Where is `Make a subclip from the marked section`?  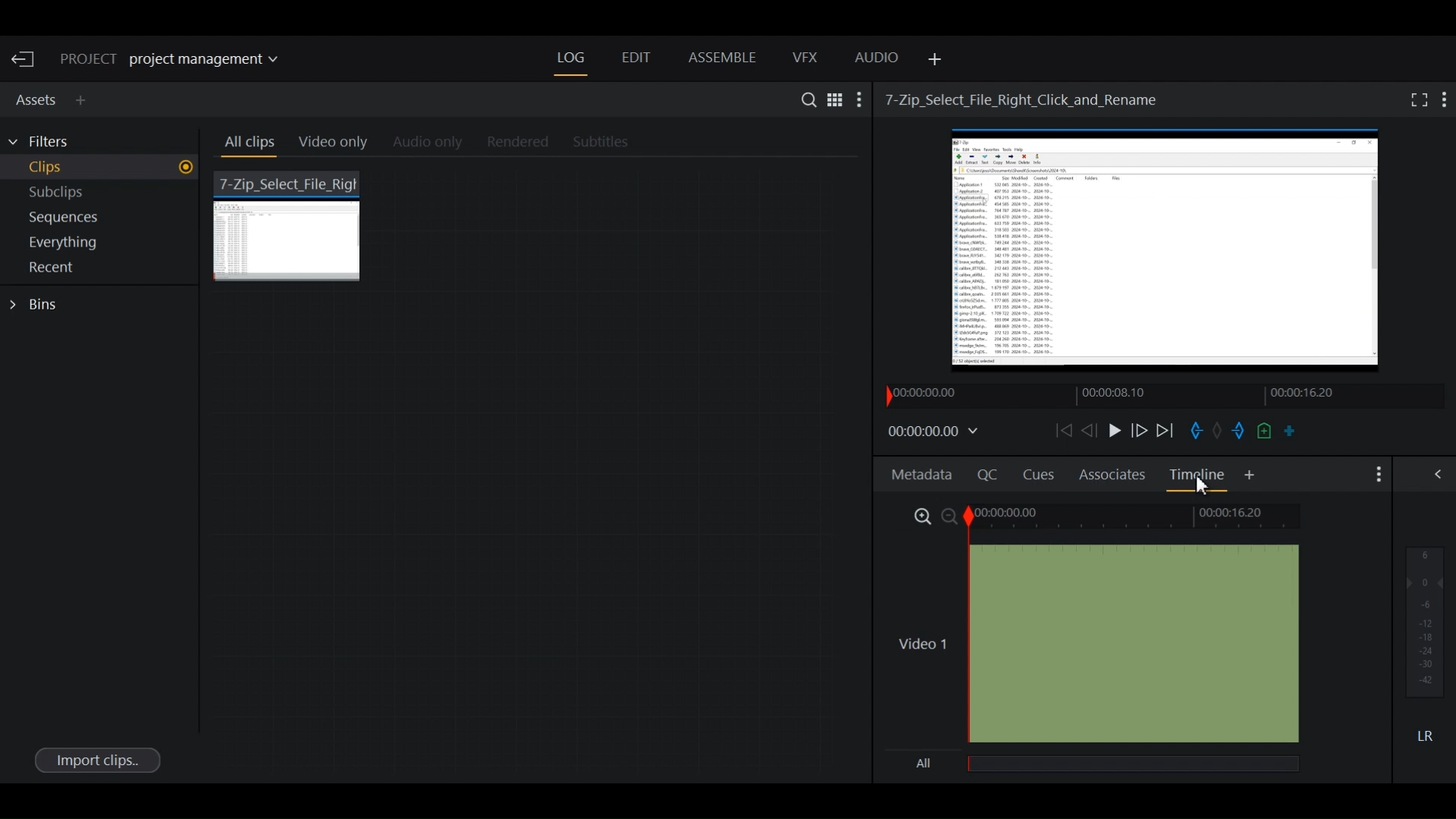 Make a subclip from the marked section is located at coordinates (1290, 430).